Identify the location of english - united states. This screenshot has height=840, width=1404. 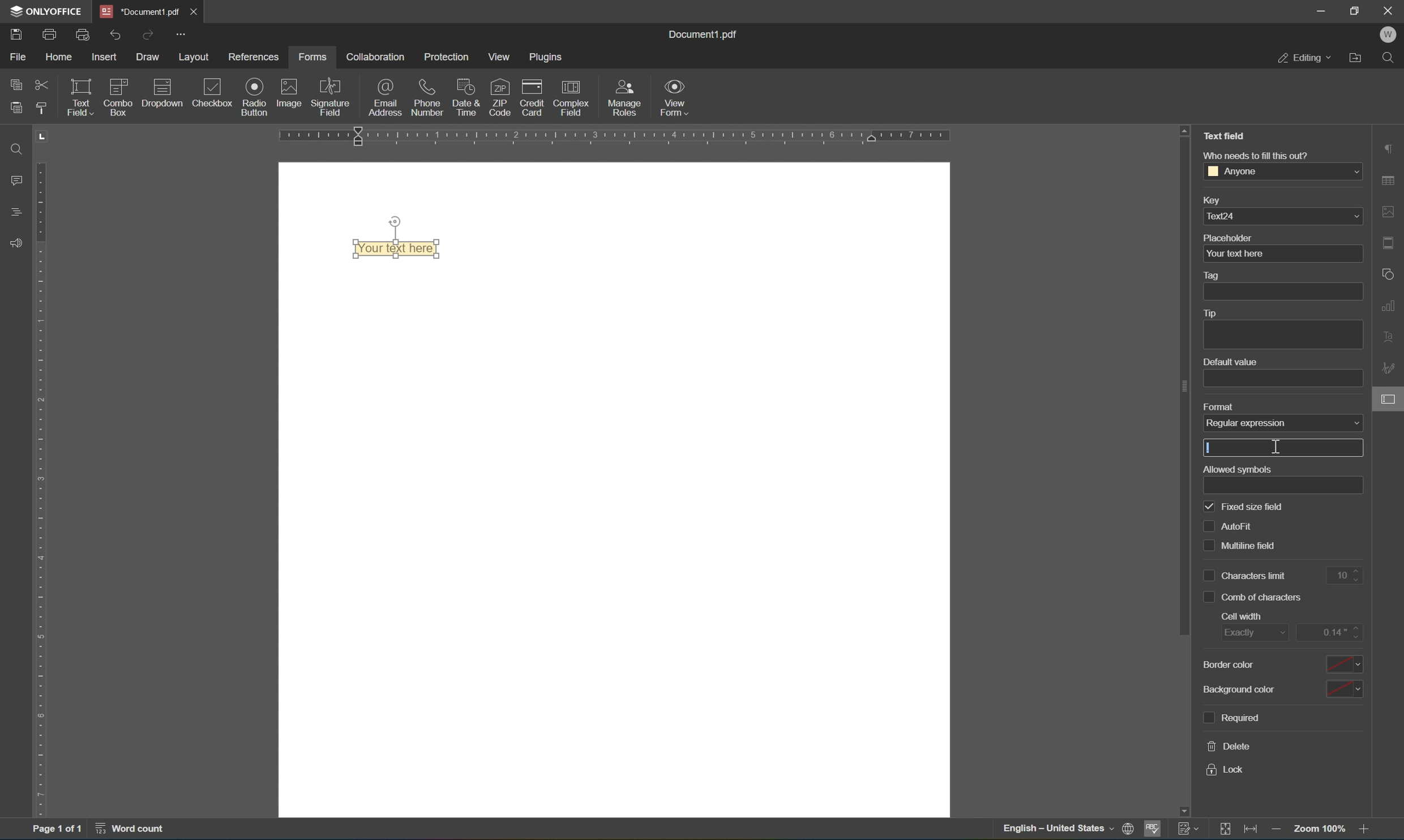
(1060, 830).